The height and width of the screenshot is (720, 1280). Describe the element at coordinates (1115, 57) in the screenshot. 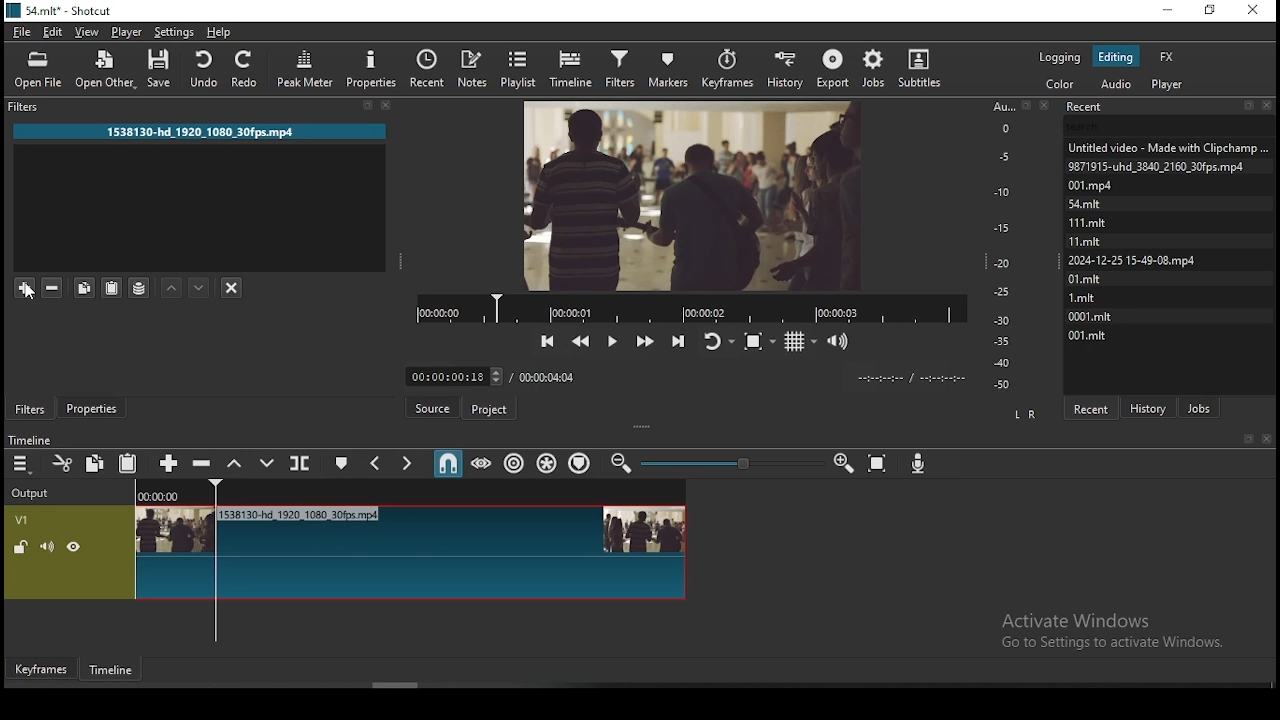

I see `editing` at that location.